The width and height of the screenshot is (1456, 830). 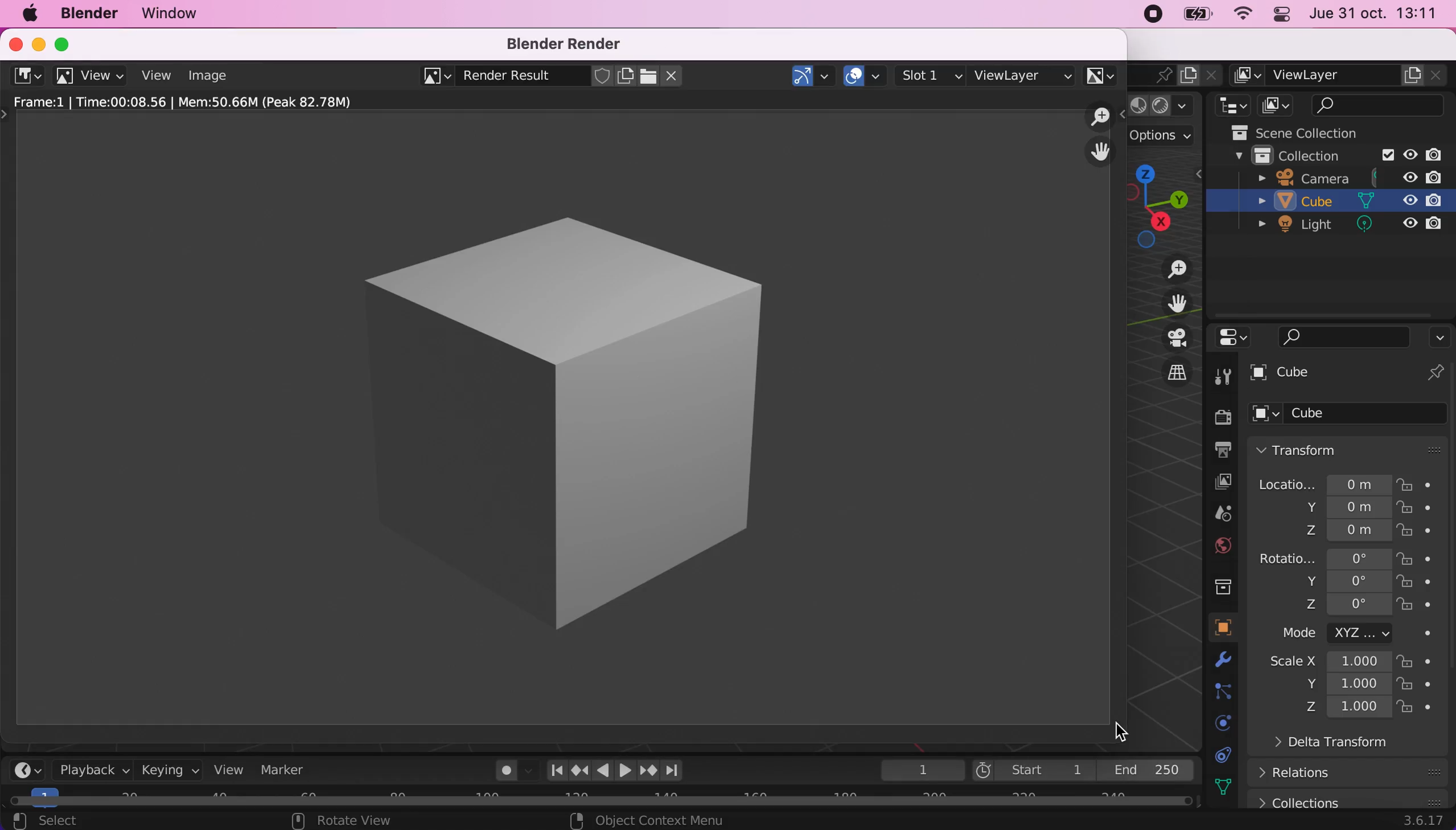 I want to click on 1, so click(x=916, y=770).